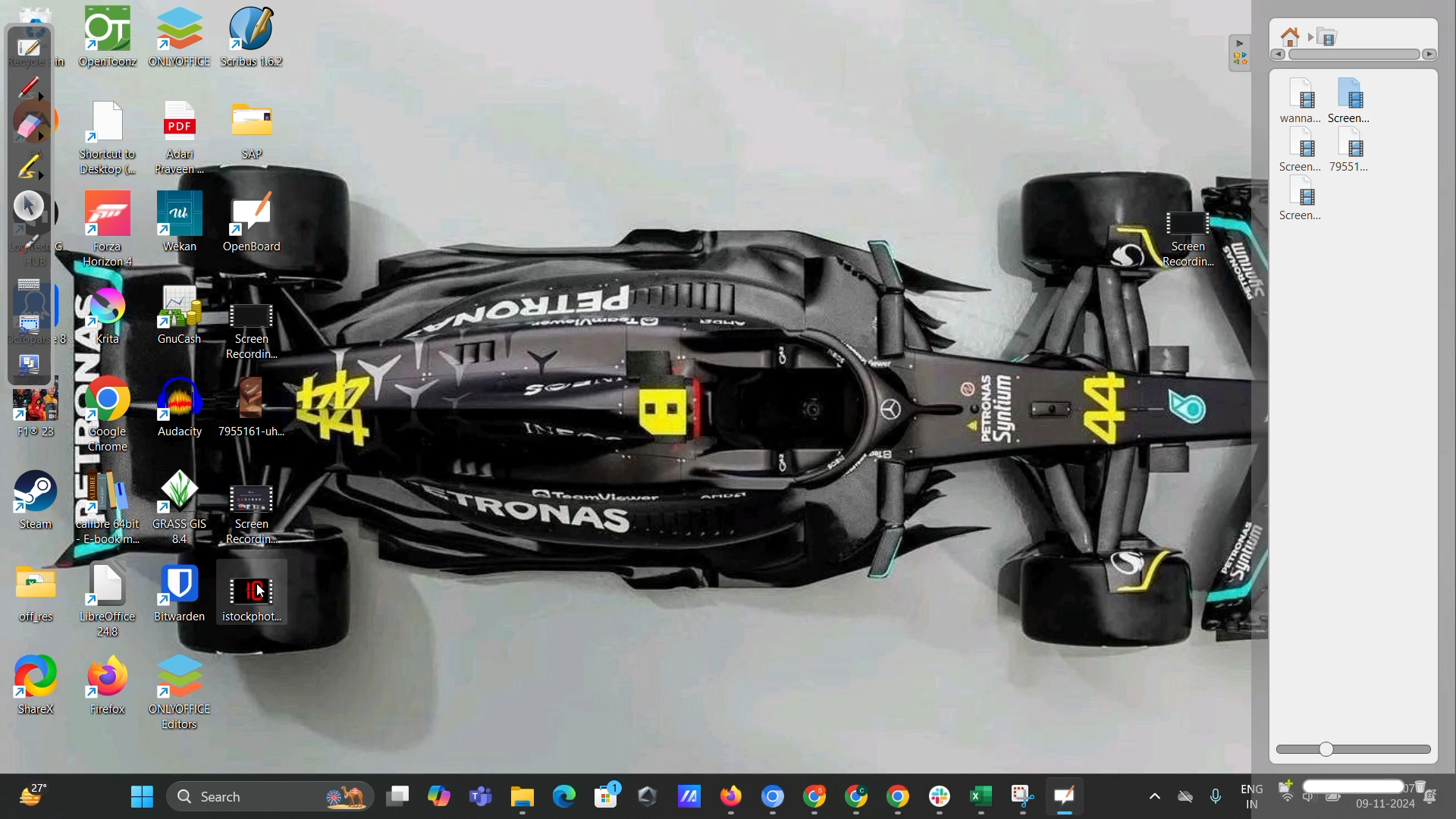  What do you see at coordinates (108, 40) in the screenshot?
I see `OpenToonz` at bounding box center [108, 40].